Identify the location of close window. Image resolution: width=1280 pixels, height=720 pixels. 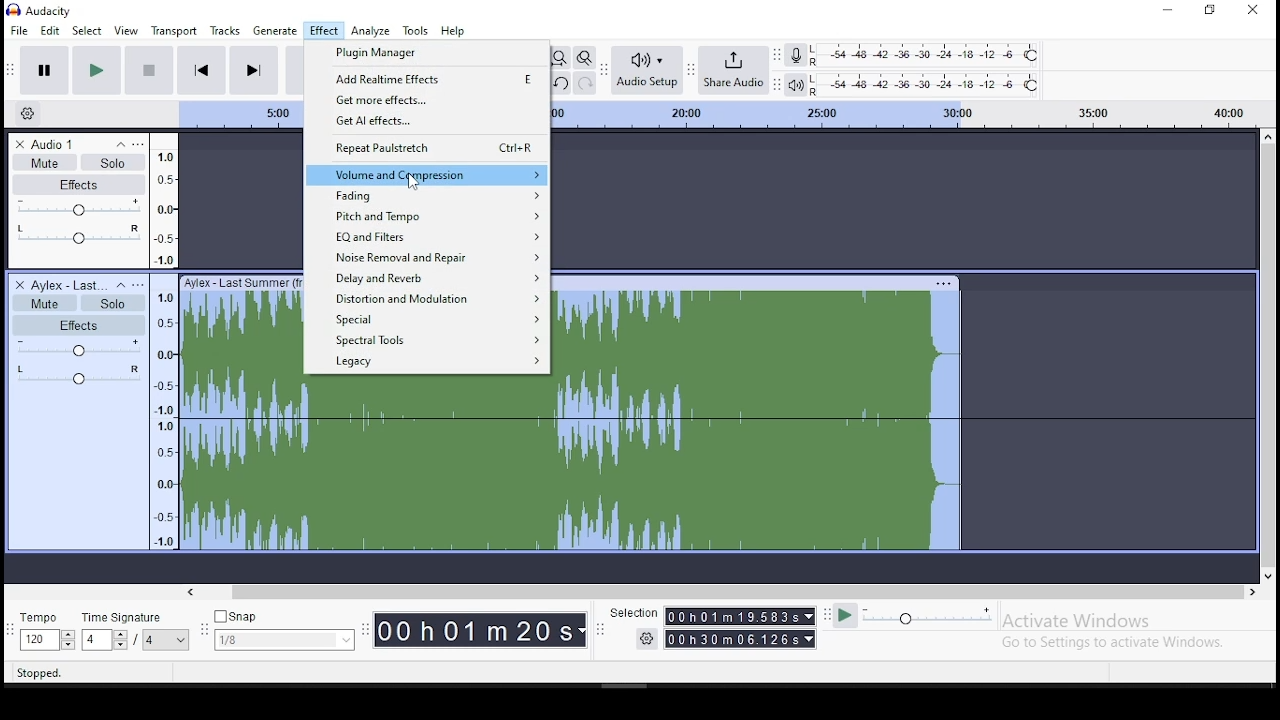
(1254, 12).